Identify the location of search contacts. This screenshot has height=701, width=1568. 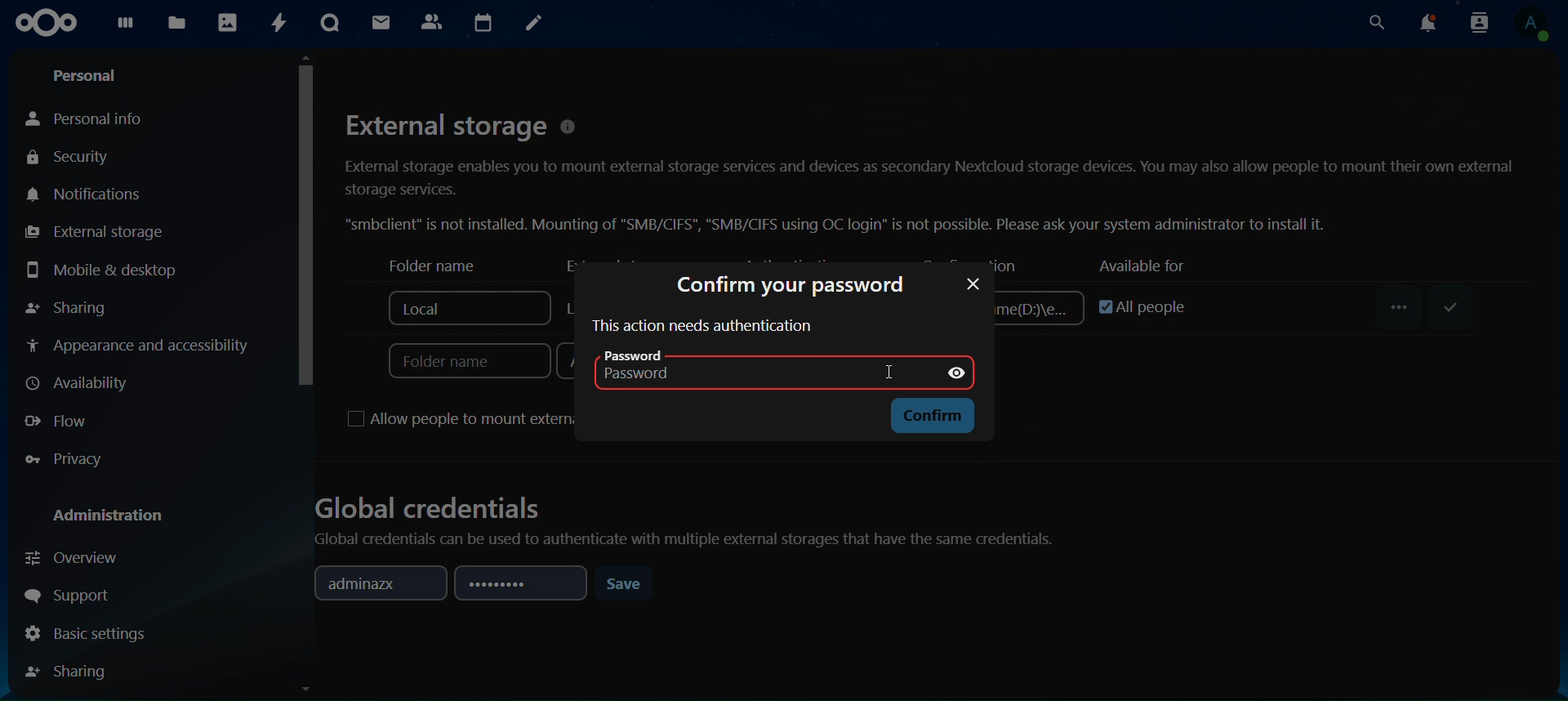
(1479, 23).